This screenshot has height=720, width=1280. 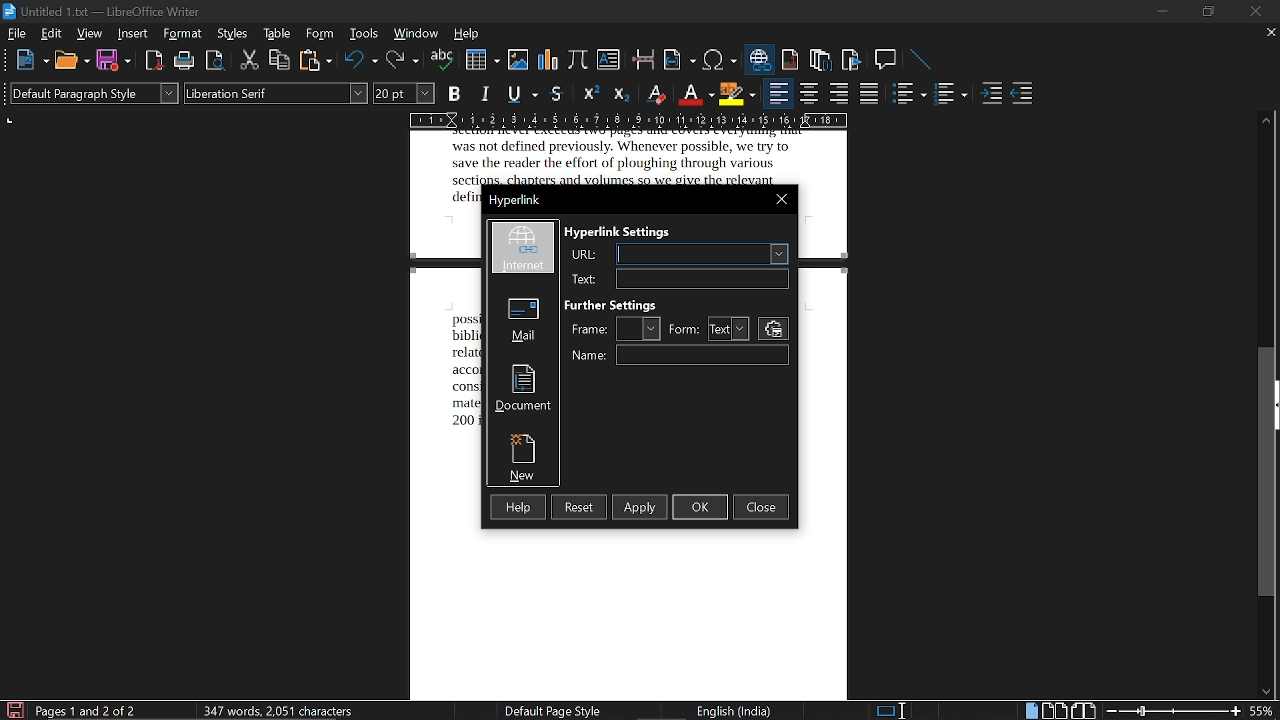 I want to click on align center, so click(x=807, y=95).